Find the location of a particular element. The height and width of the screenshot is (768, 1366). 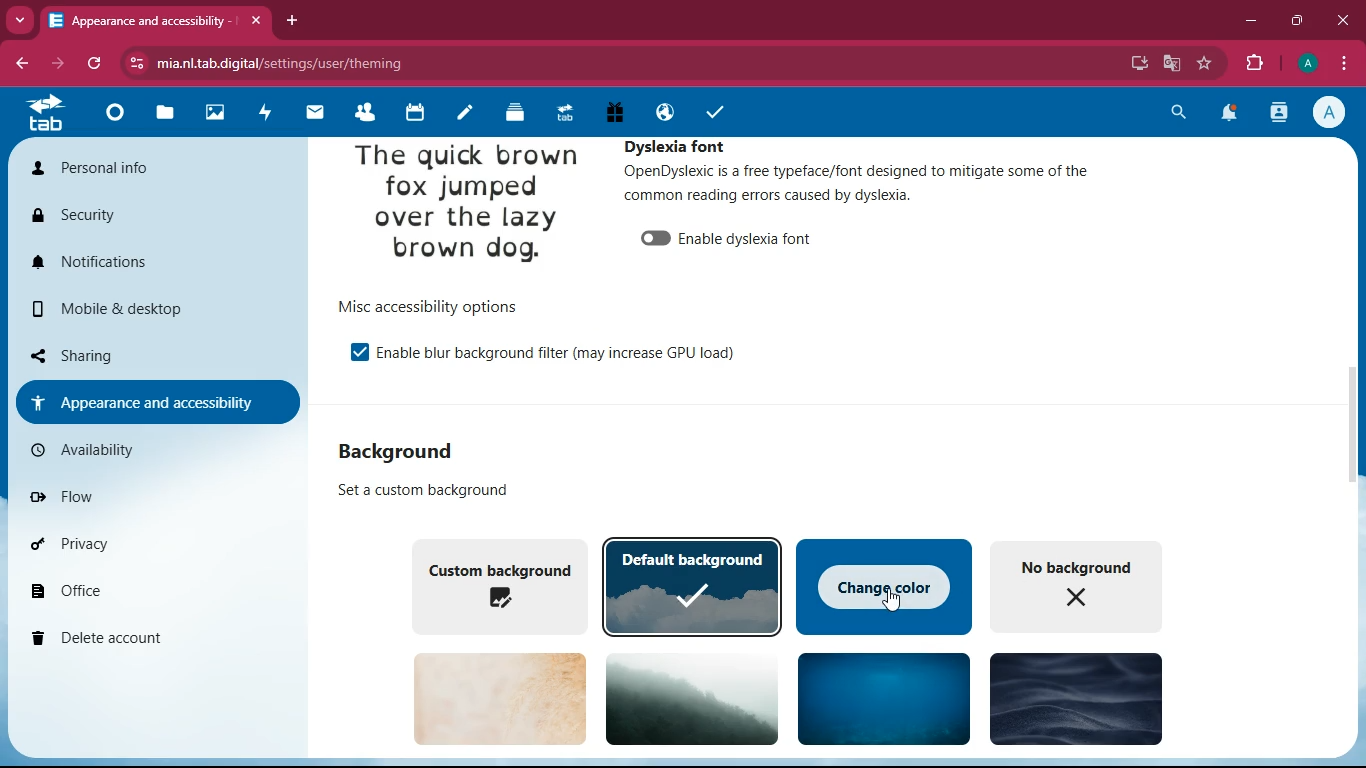

appearance and accessibility  is located at coordinates (155, 401).